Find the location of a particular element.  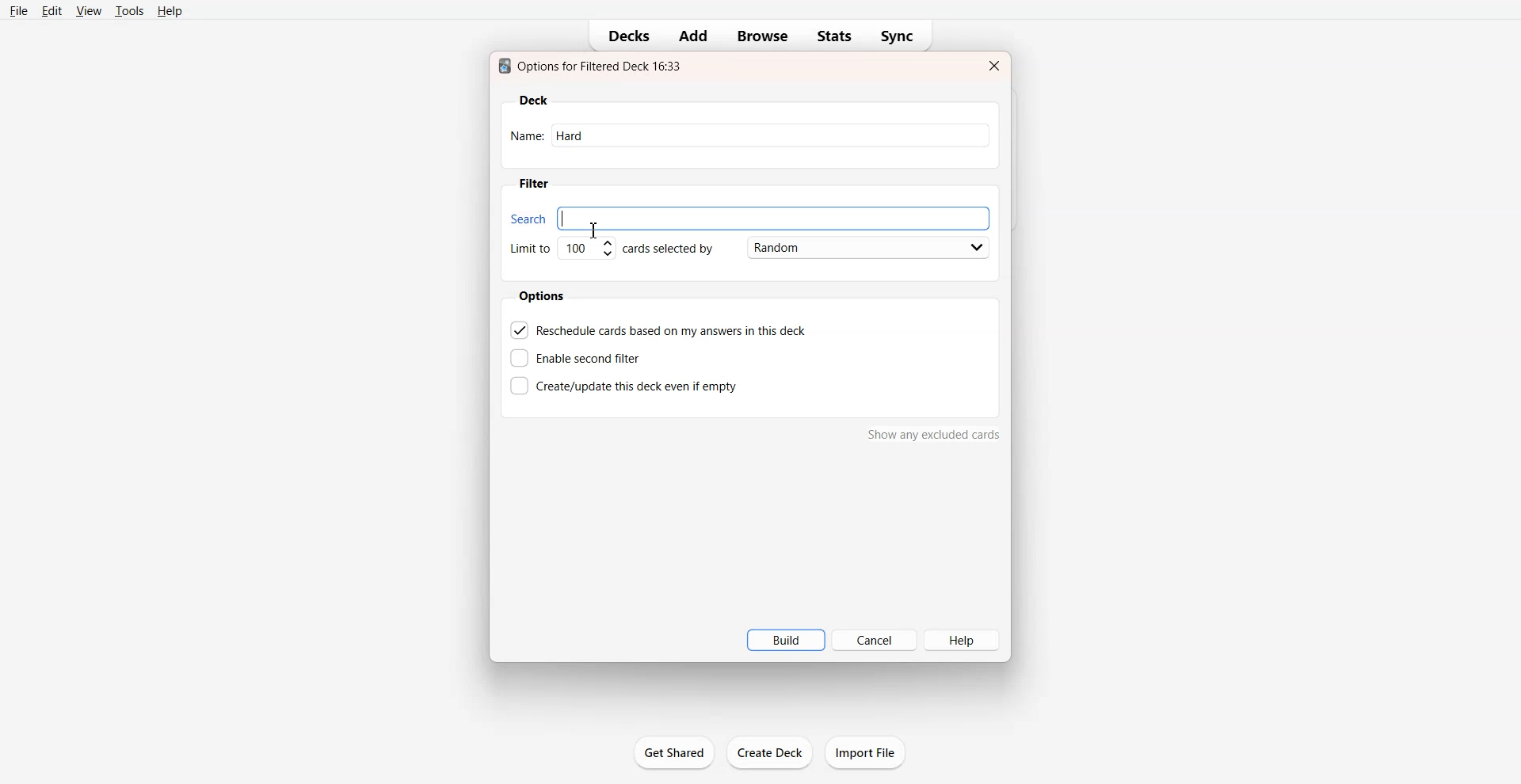

Close is located at coordinates (993, 66).